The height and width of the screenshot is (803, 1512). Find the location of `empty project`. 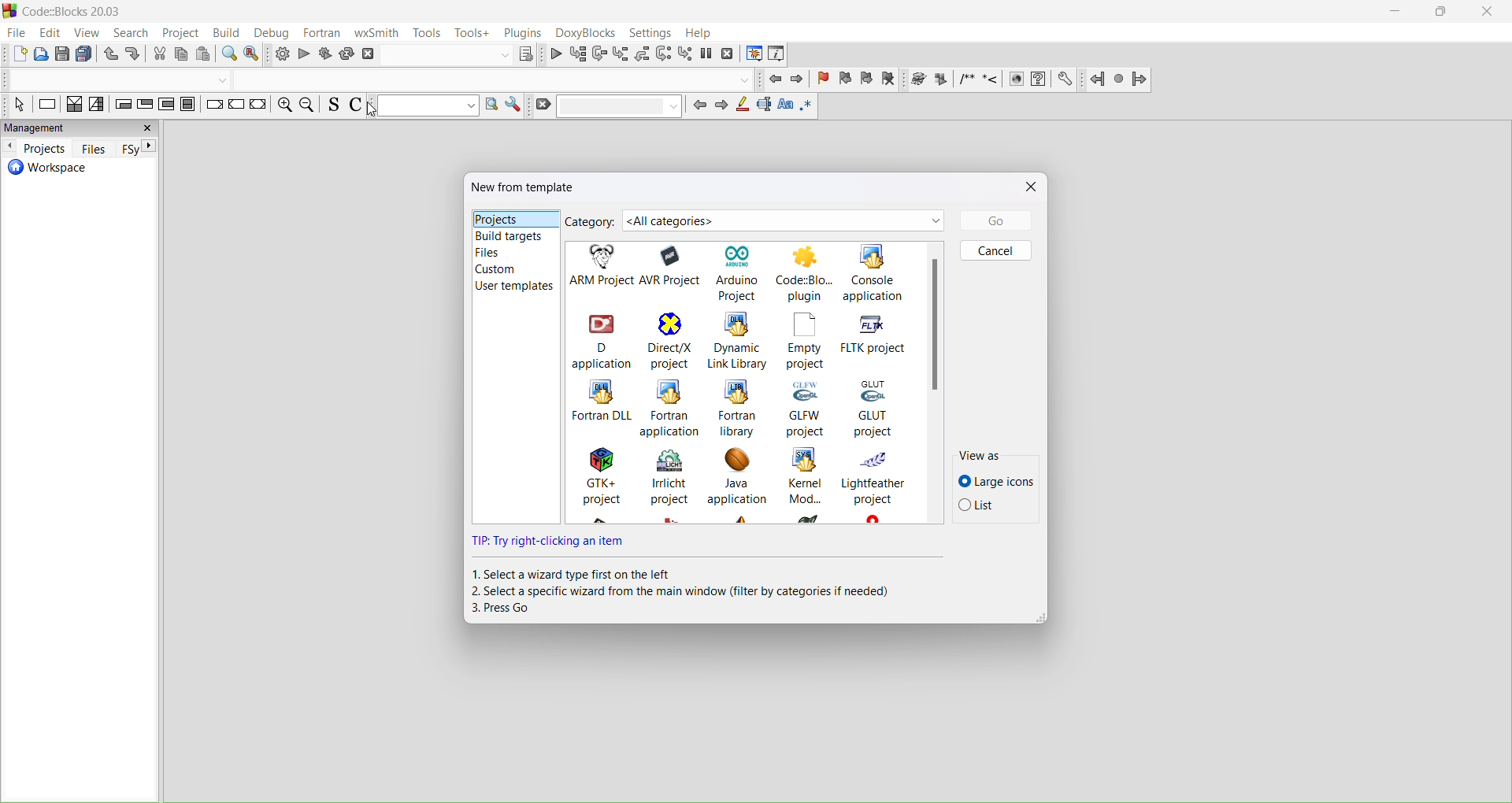

empty project is located at coordinates (806, 341).